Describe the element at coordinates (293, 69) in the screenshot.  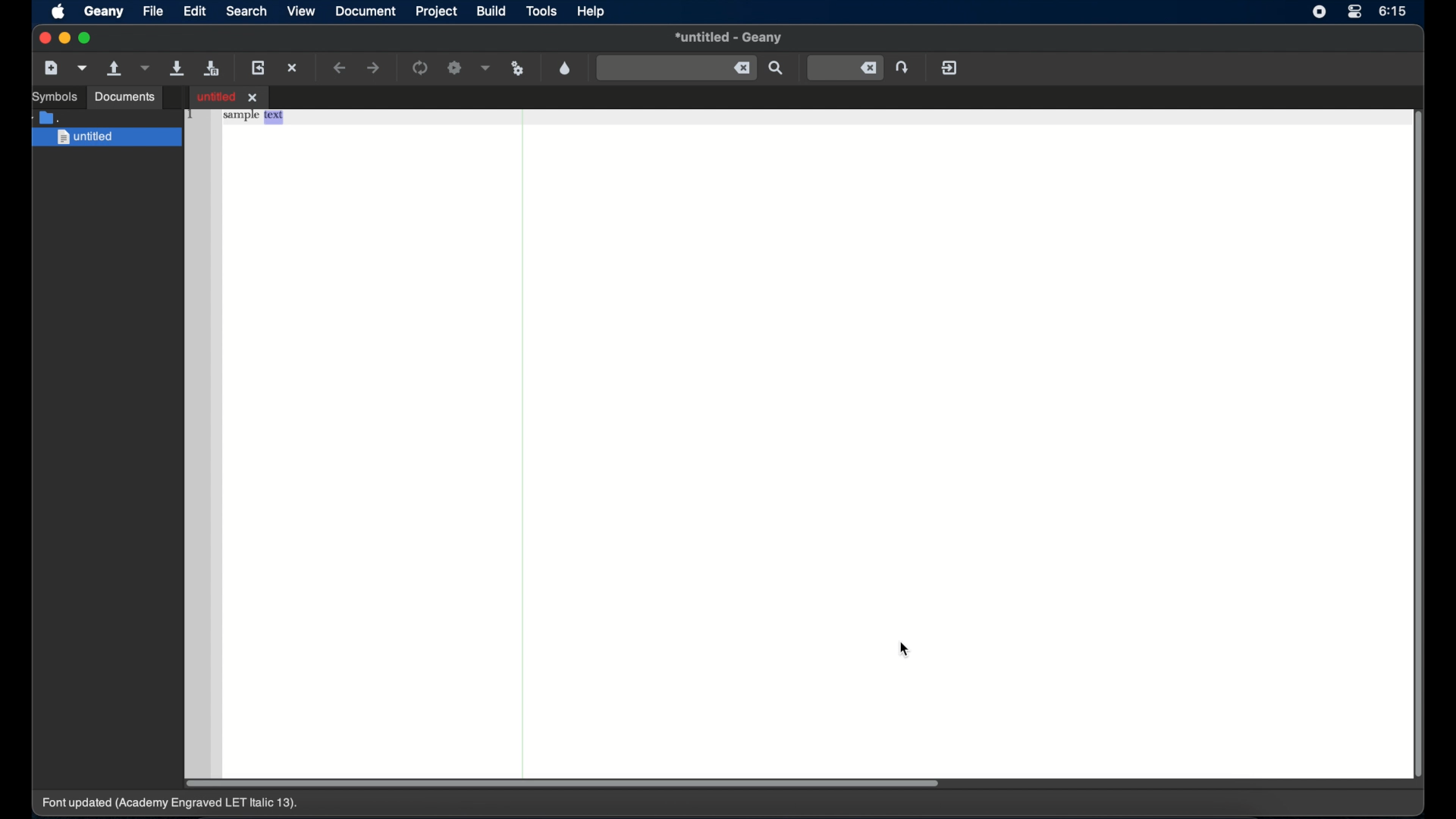
I see `close the current file` at that location.